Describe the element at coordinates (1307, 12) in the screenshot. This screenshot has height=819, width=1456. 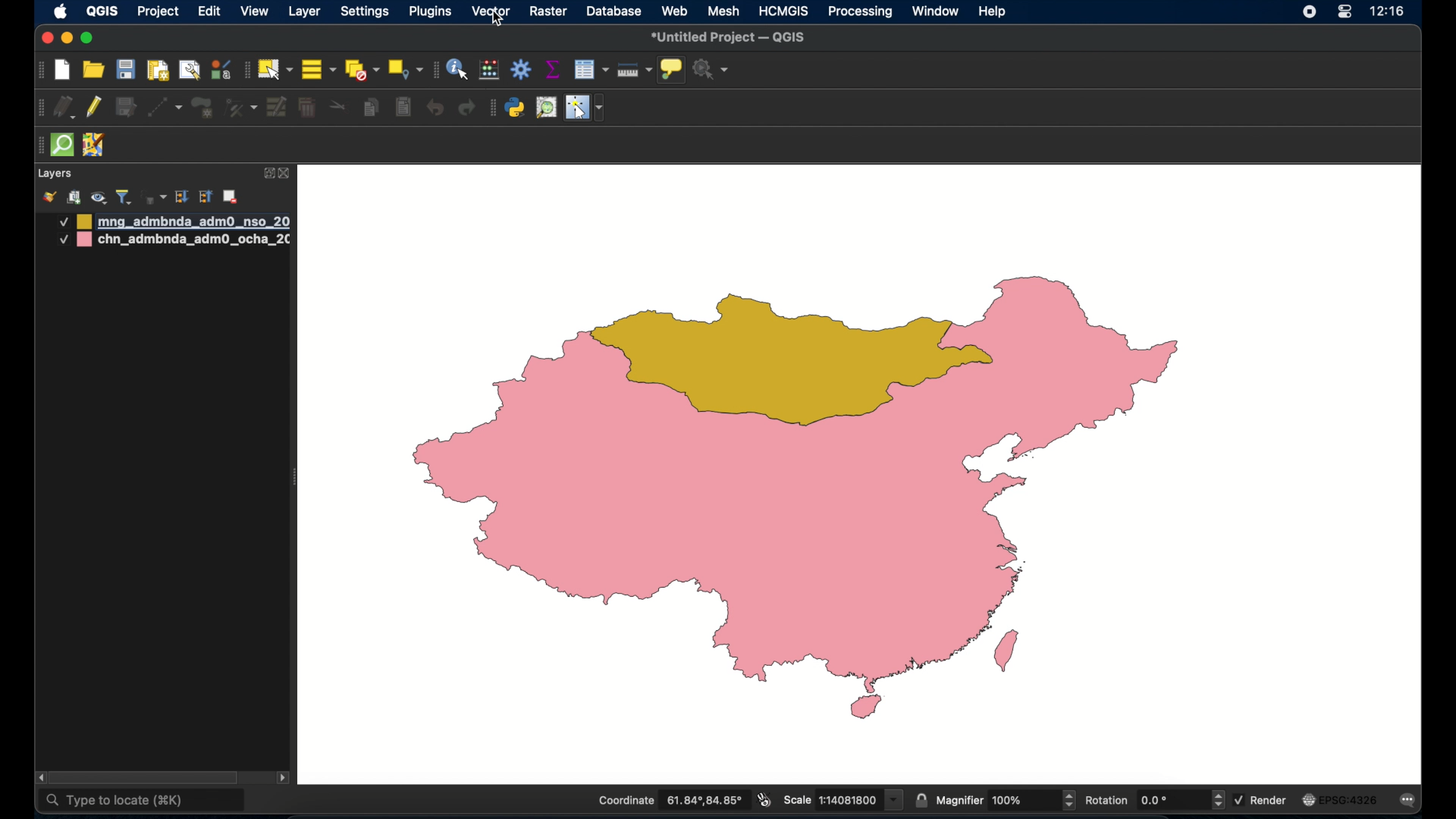
I see `screen recorder icon` at that location.